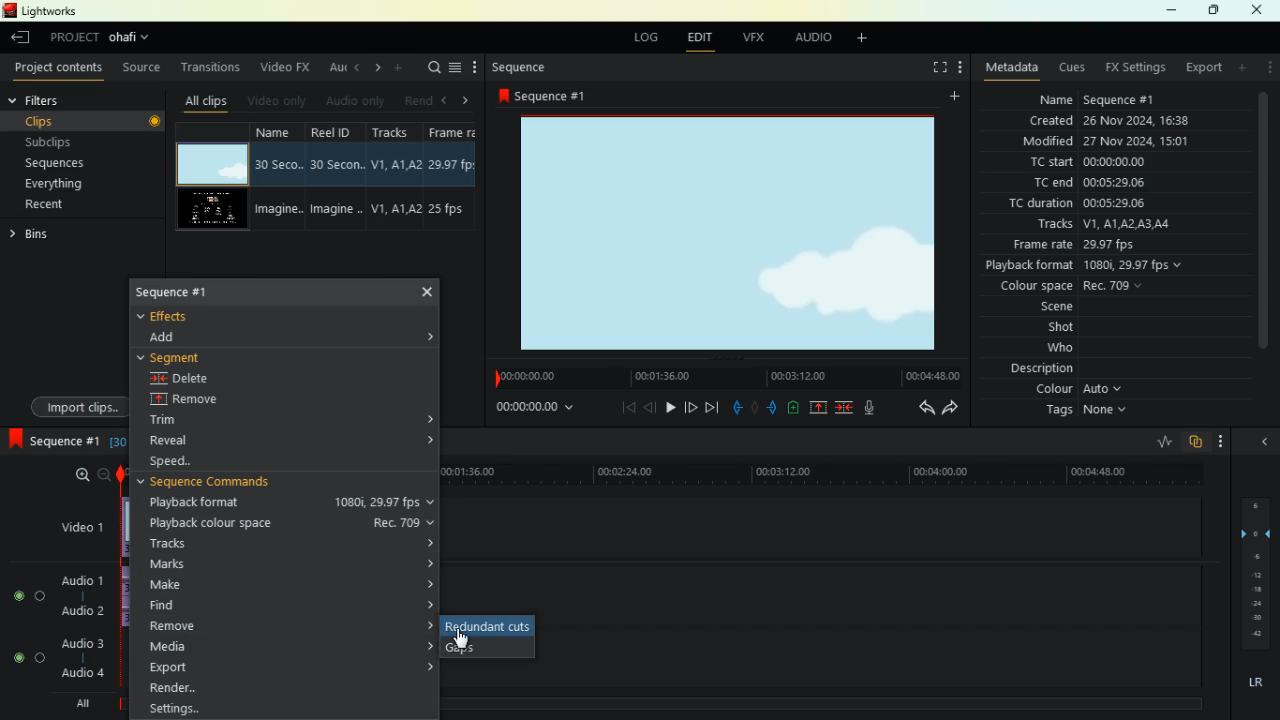  I want to click on sequence, so click(53, 440).